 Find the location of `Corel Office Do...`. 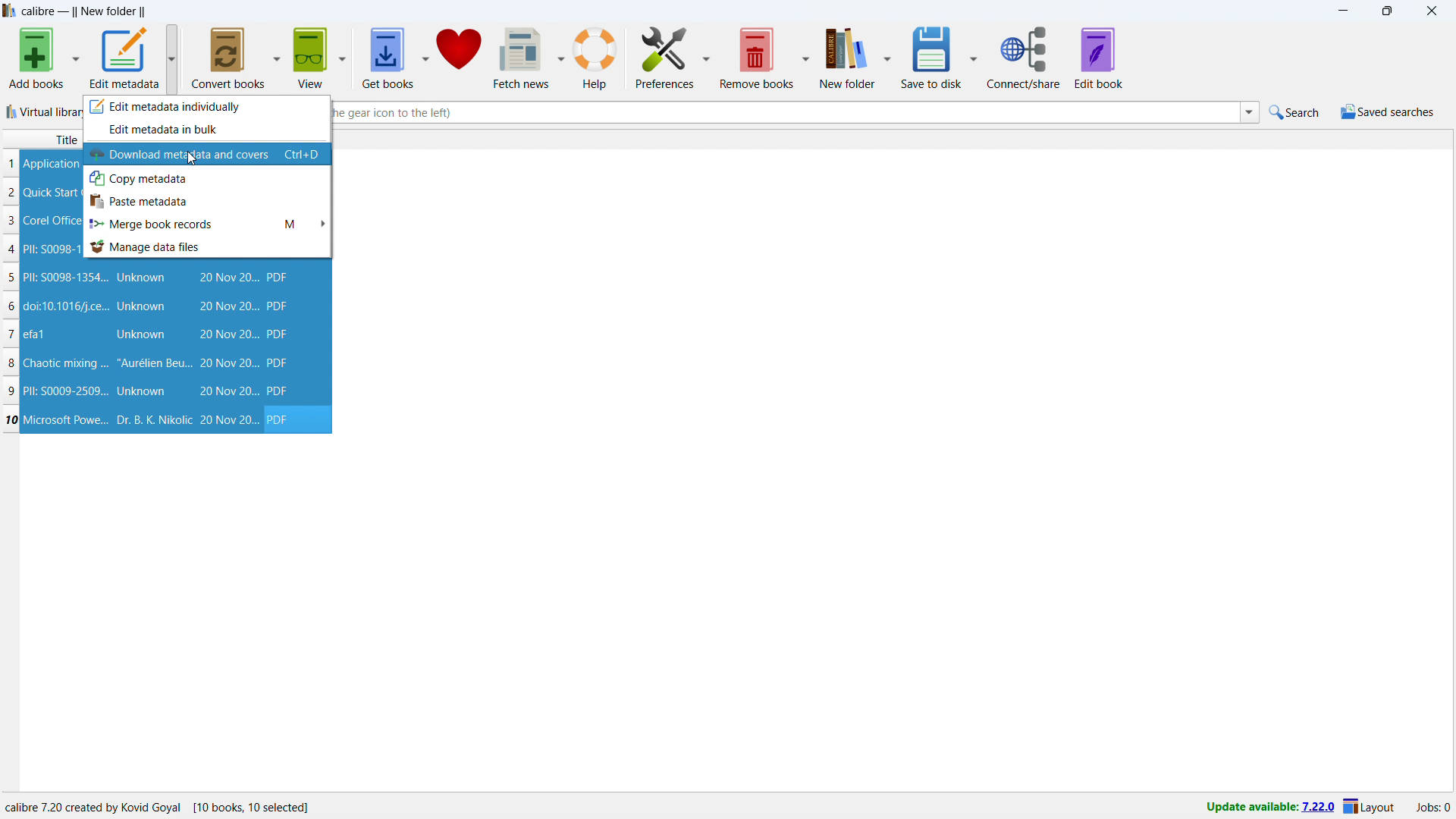

Corel Office Do... is located at coordinates (50, 220).